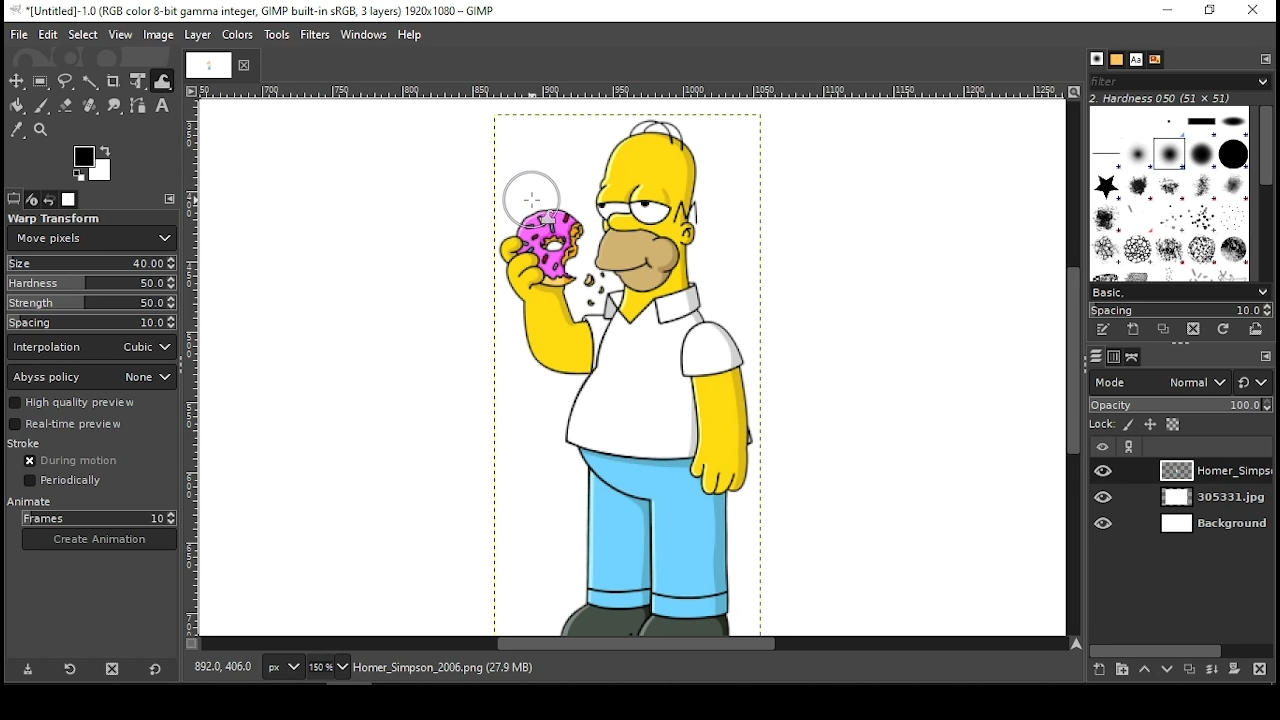 This screenshot has width=1280, height=720. I want to click on zoom level, so click(328, 669).